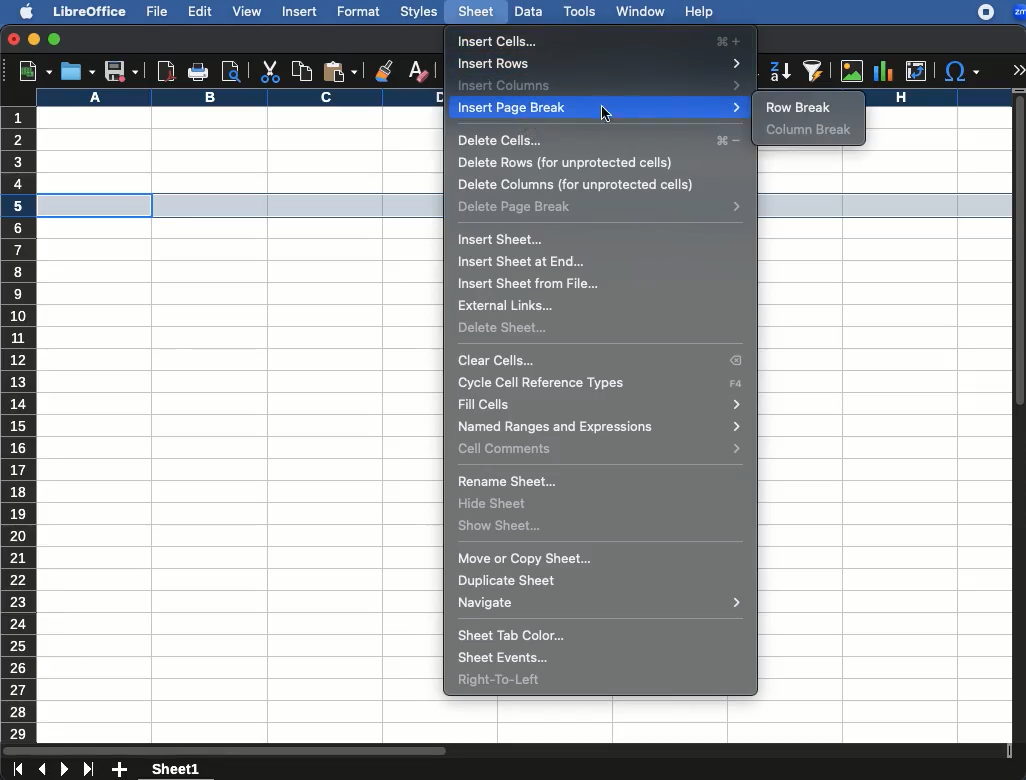 This screenshot has height=780, width=1026. What do you see at coordinates (17, 768) in the screenshot?
I see `first sheet` at bounding box center [17, 768].